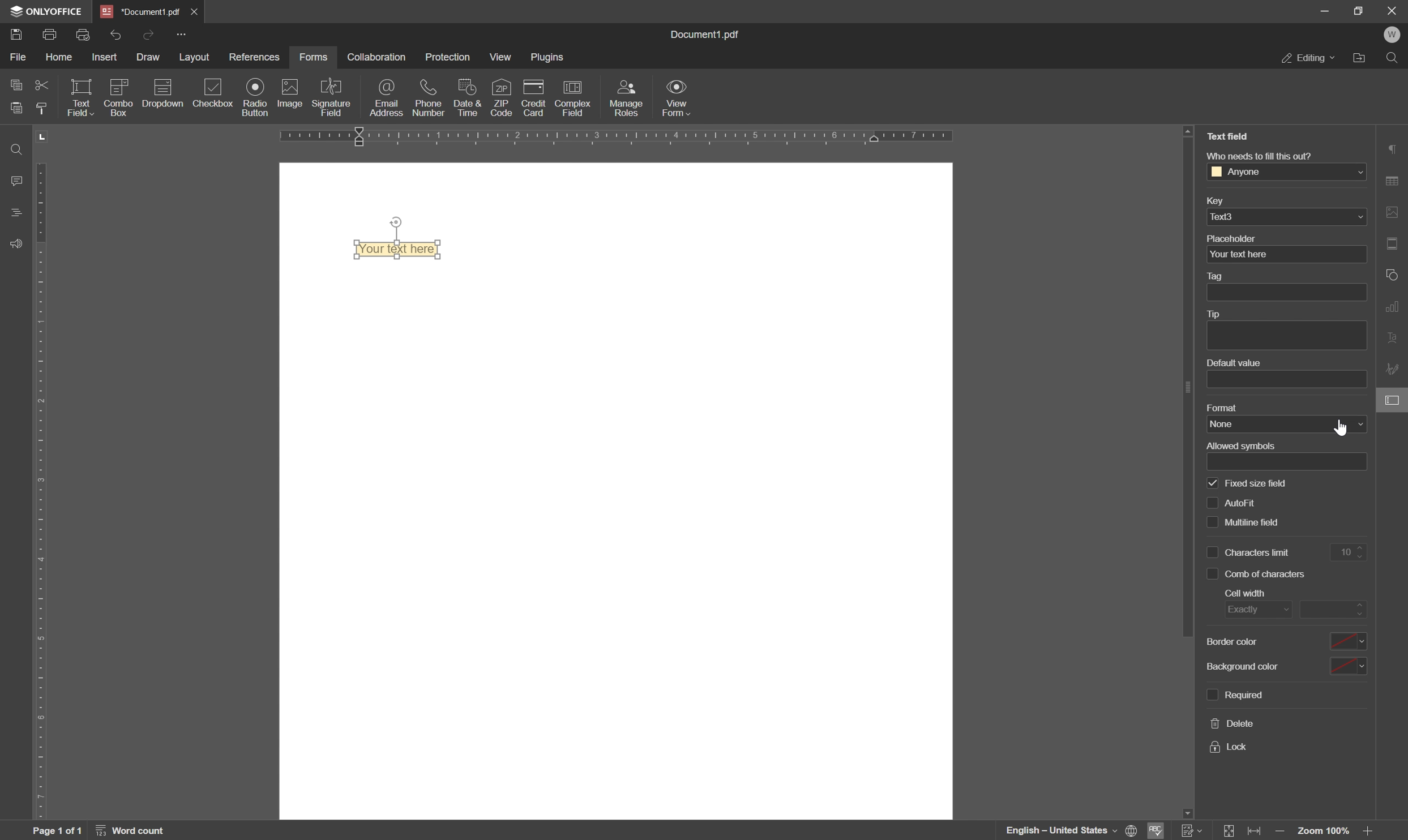 The height and width of the screenshot is (840, 1408). Describe the element at coordinates (1288, 462) in the screenshot. I see `allowed symbol box` at that location.